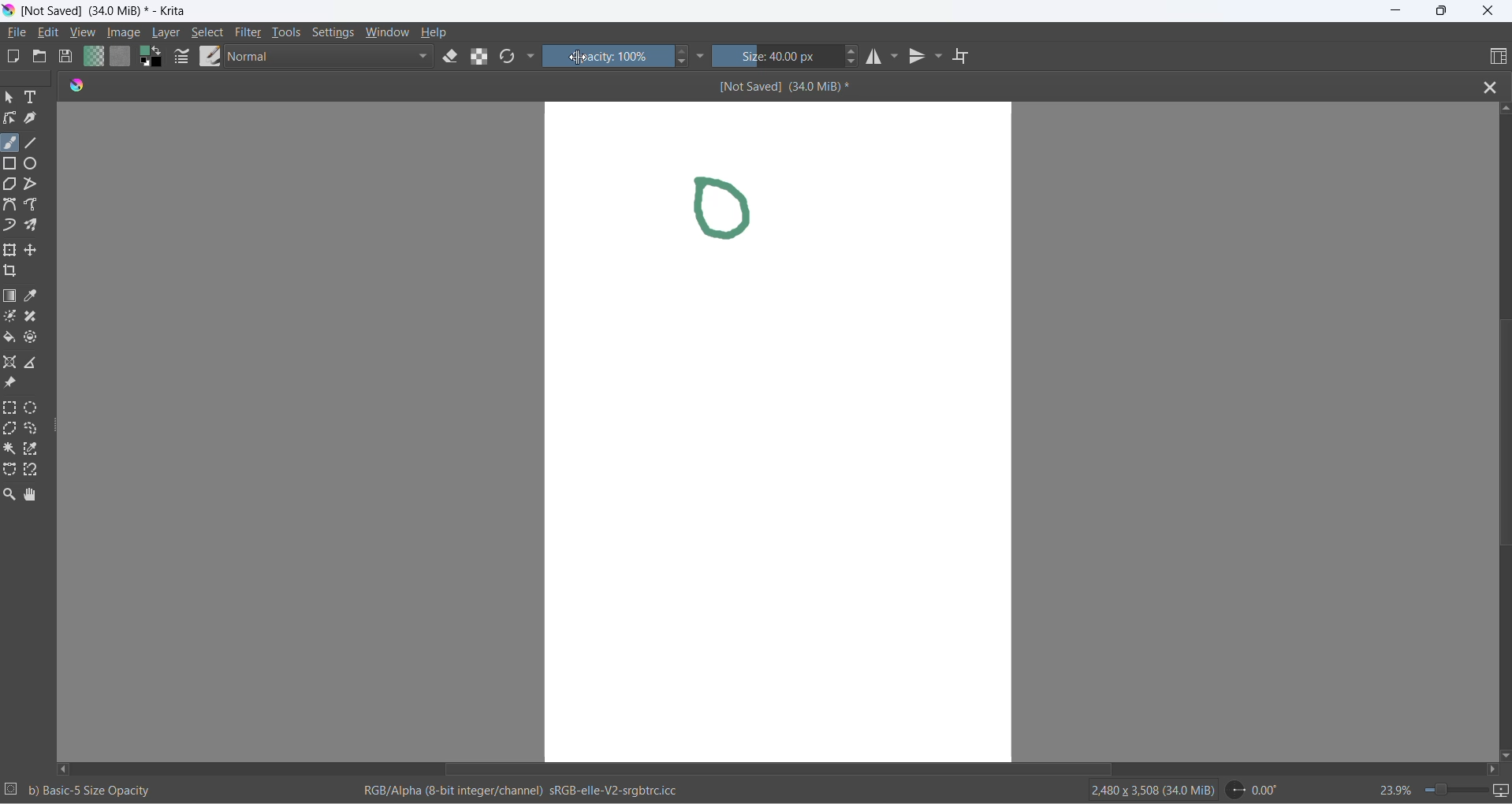  Describe the element at coordinates (93, 57) in the screenshot. I see `fill gradients` at that location.